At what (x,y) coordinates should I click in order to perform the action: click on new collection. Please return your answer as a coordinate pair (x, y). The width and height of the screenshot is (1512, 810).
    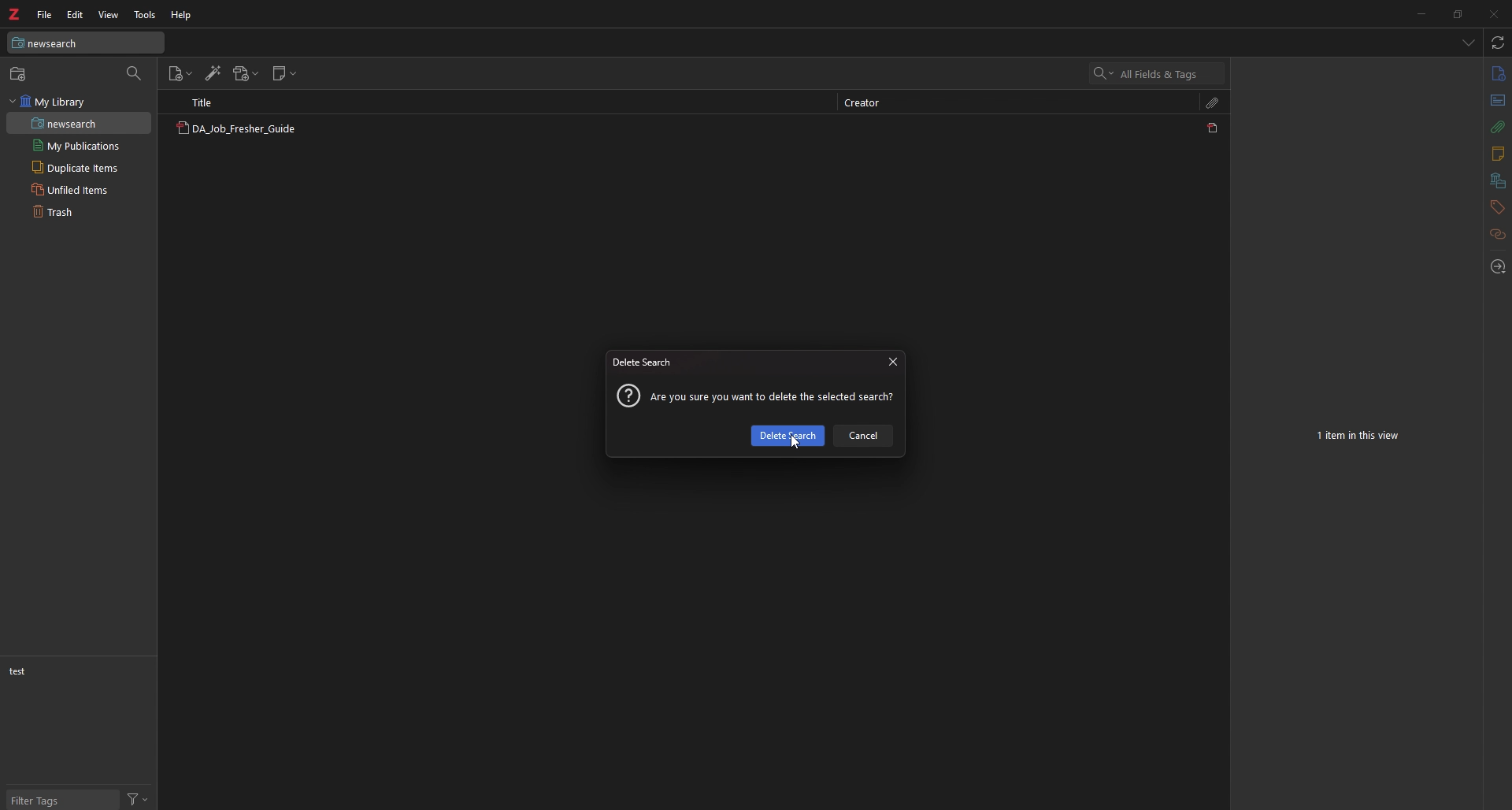
    Looking at the image, I should click on (19, 74).